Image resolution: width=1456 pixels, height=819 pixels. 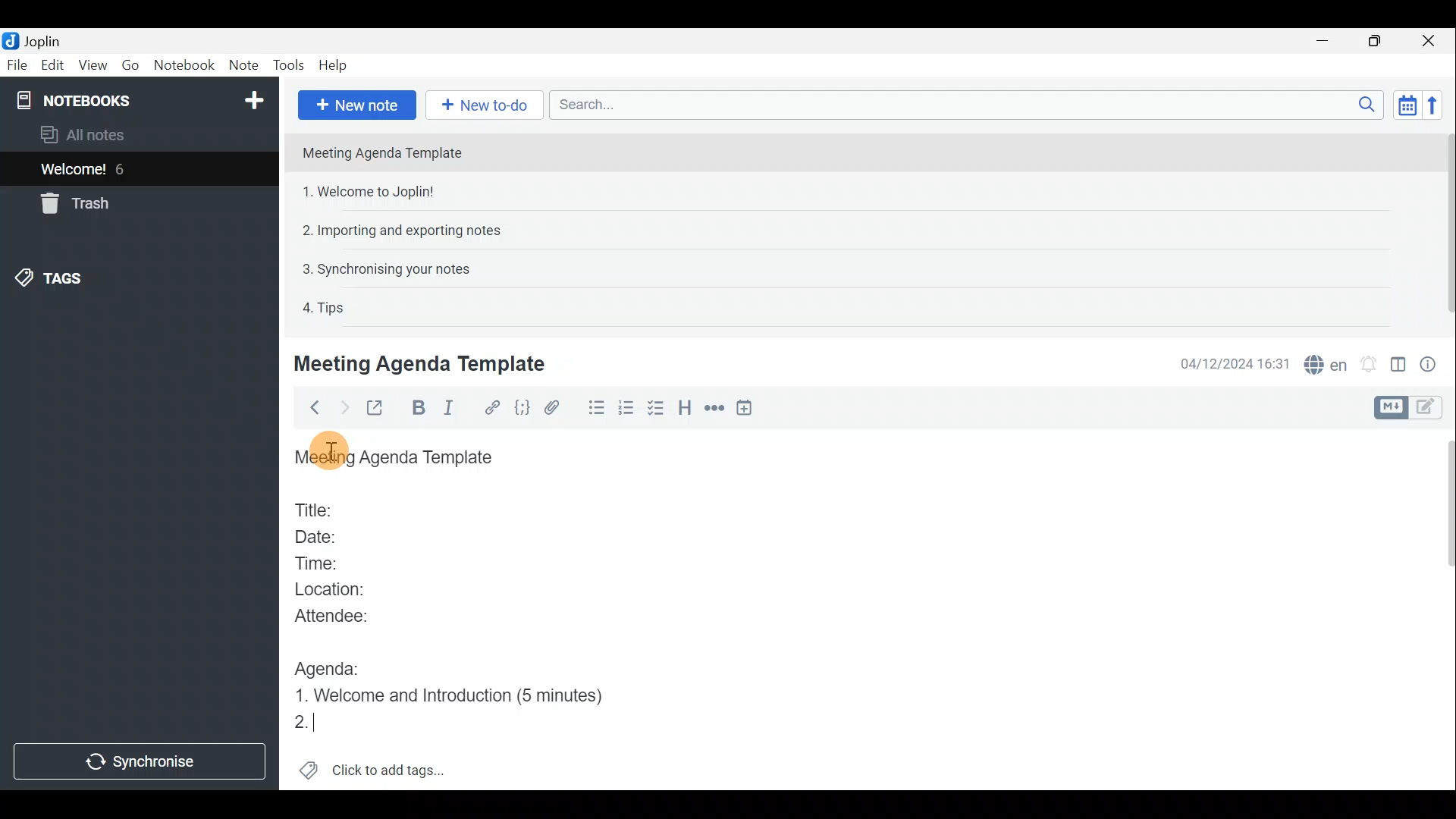 What do you see at coordinates (335, 590) in the screenshot?
I see `Location:` at bounding box center [335, 590].